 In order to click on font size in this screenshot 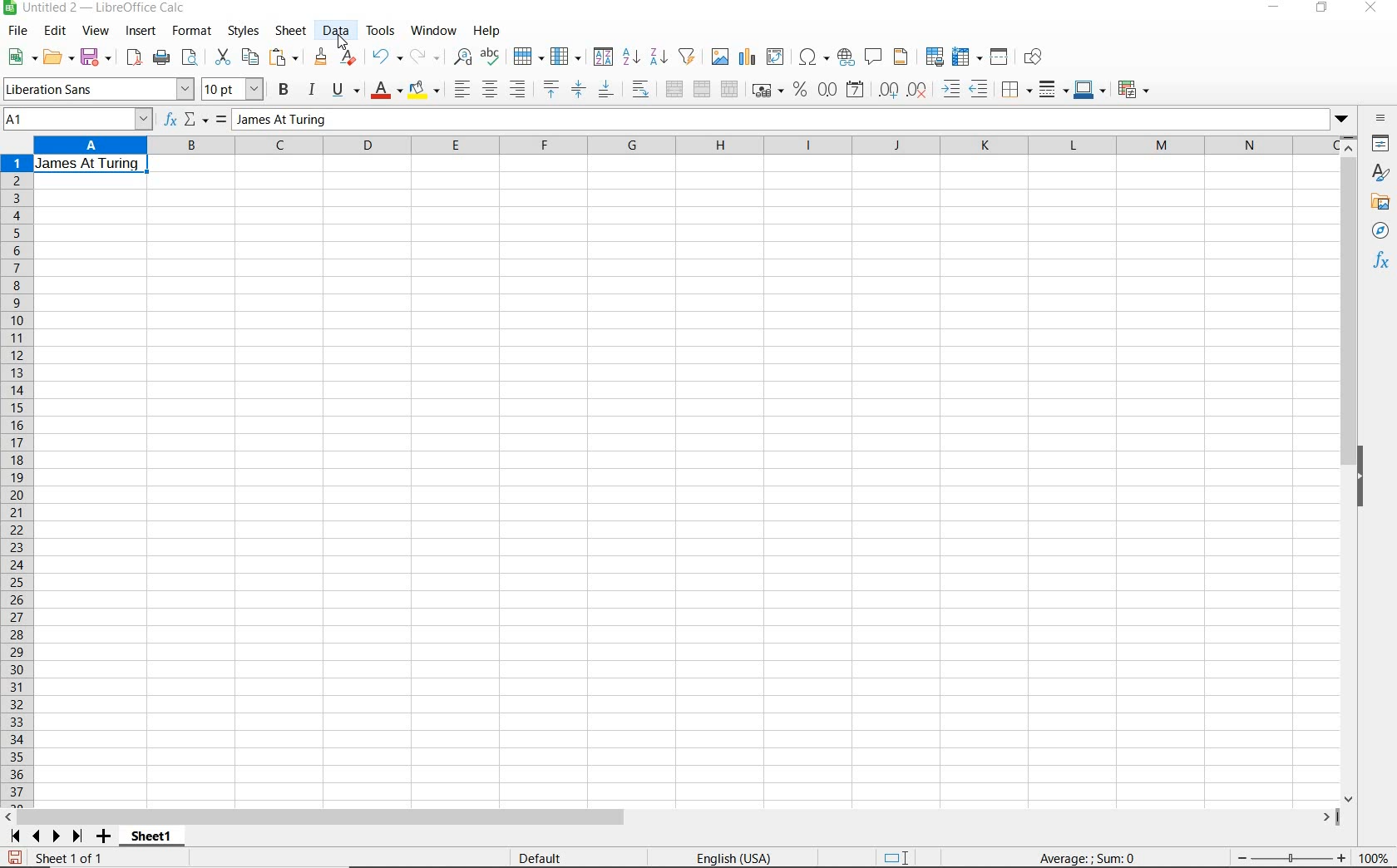, I will do `click(234, 89)`.